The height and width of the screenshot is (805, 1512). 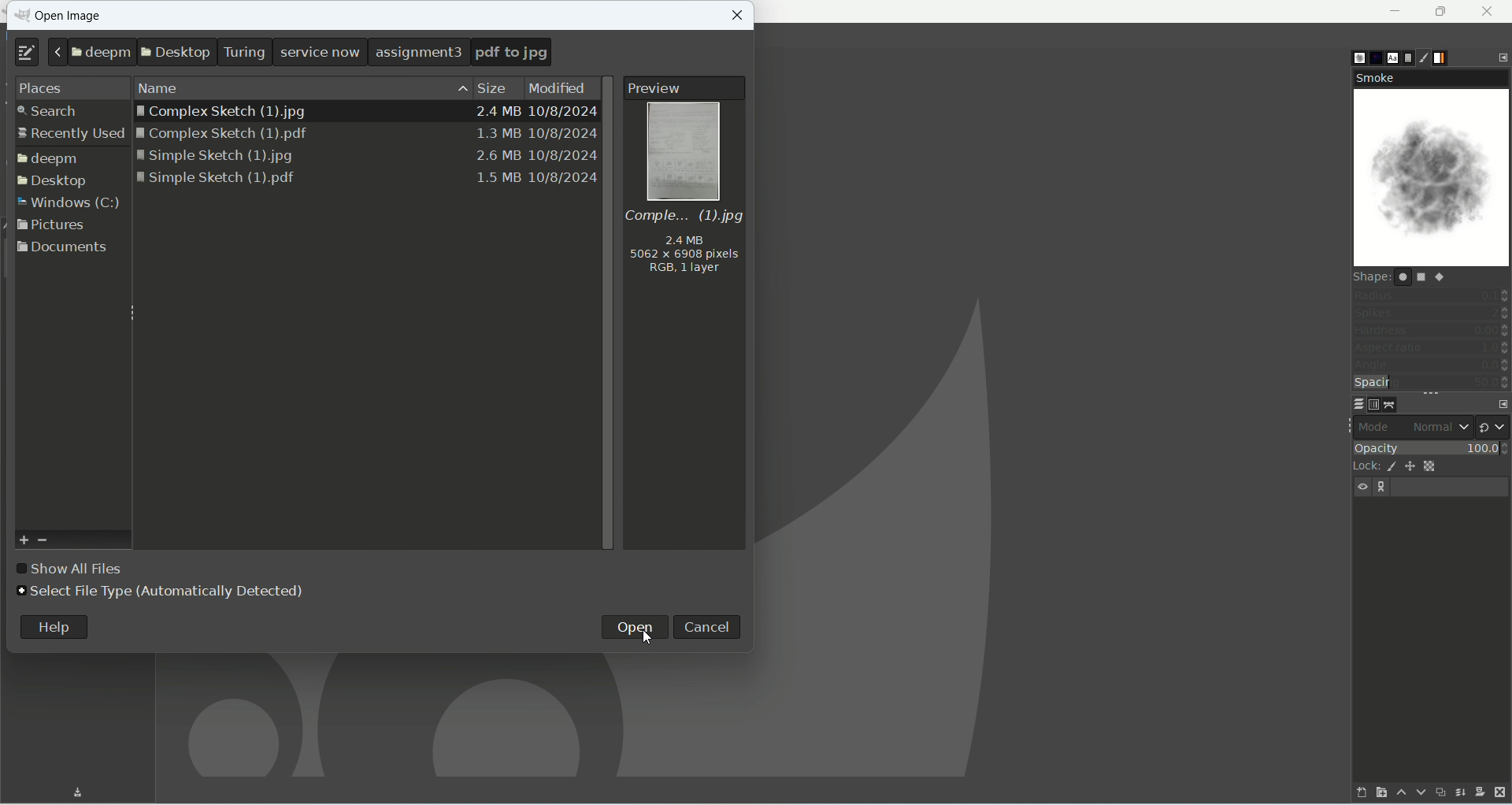 I want to click on opacity, so click(x=1397, y=450).